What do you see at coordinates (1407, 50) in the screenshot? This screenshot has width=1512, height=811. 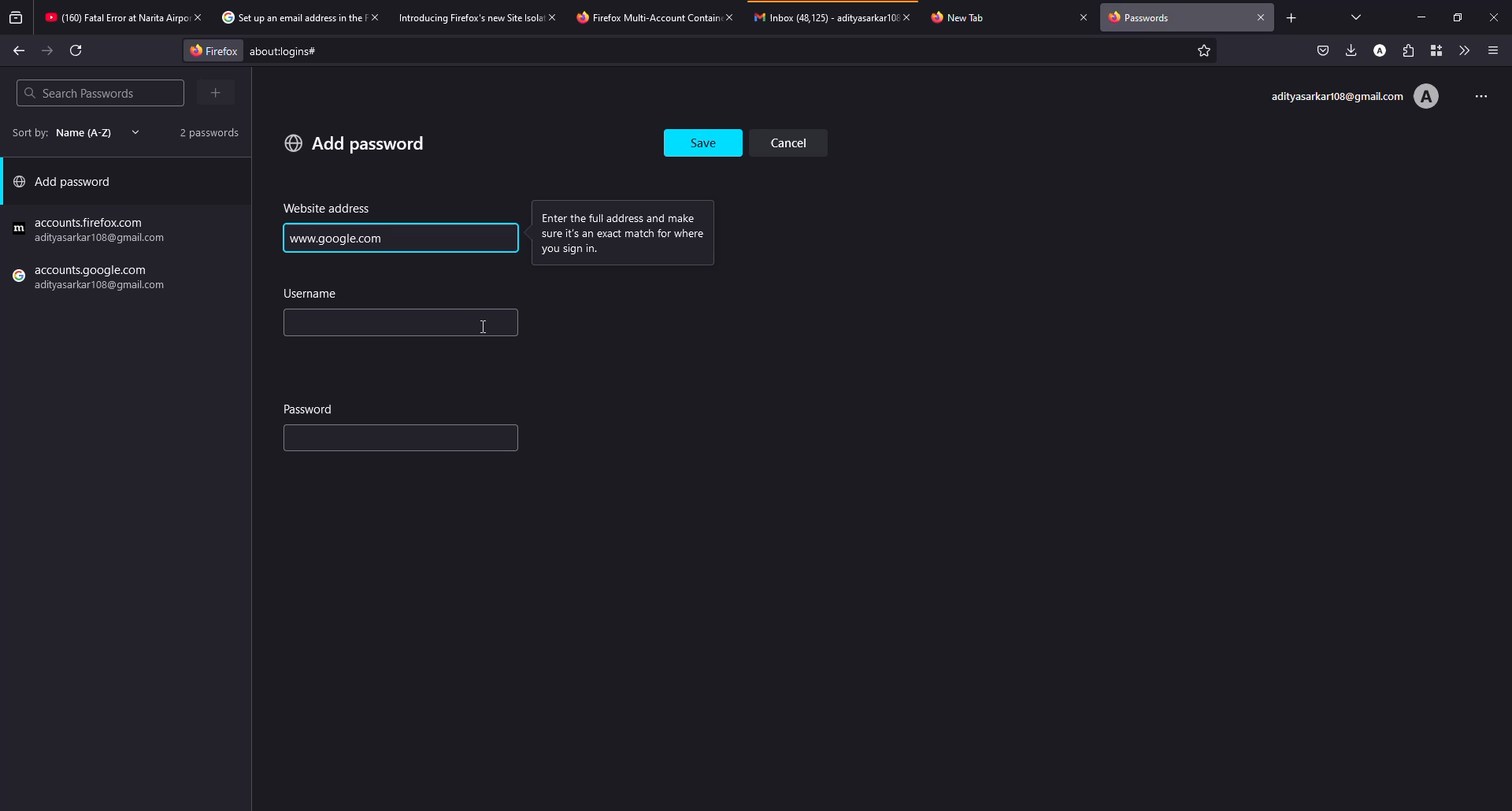 I see `extensions` at bounding box center [1407, 50].